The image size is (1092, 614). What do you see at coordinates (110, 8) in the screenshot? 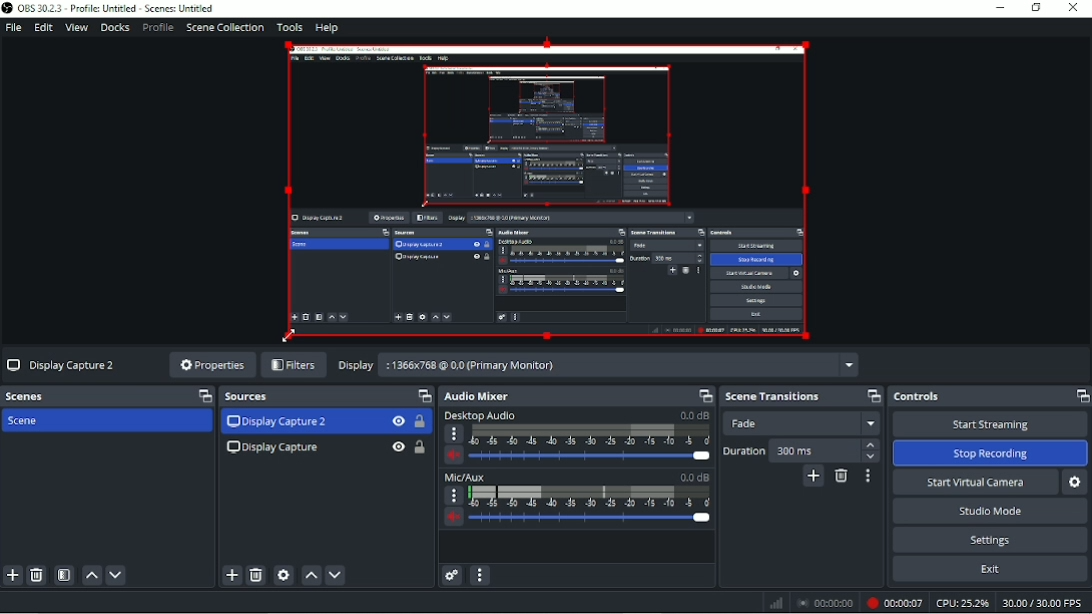
I see `OBS 20.2.3 - Profile: Untitled - Scenes: Untitled` at bounding box center [110, 8].